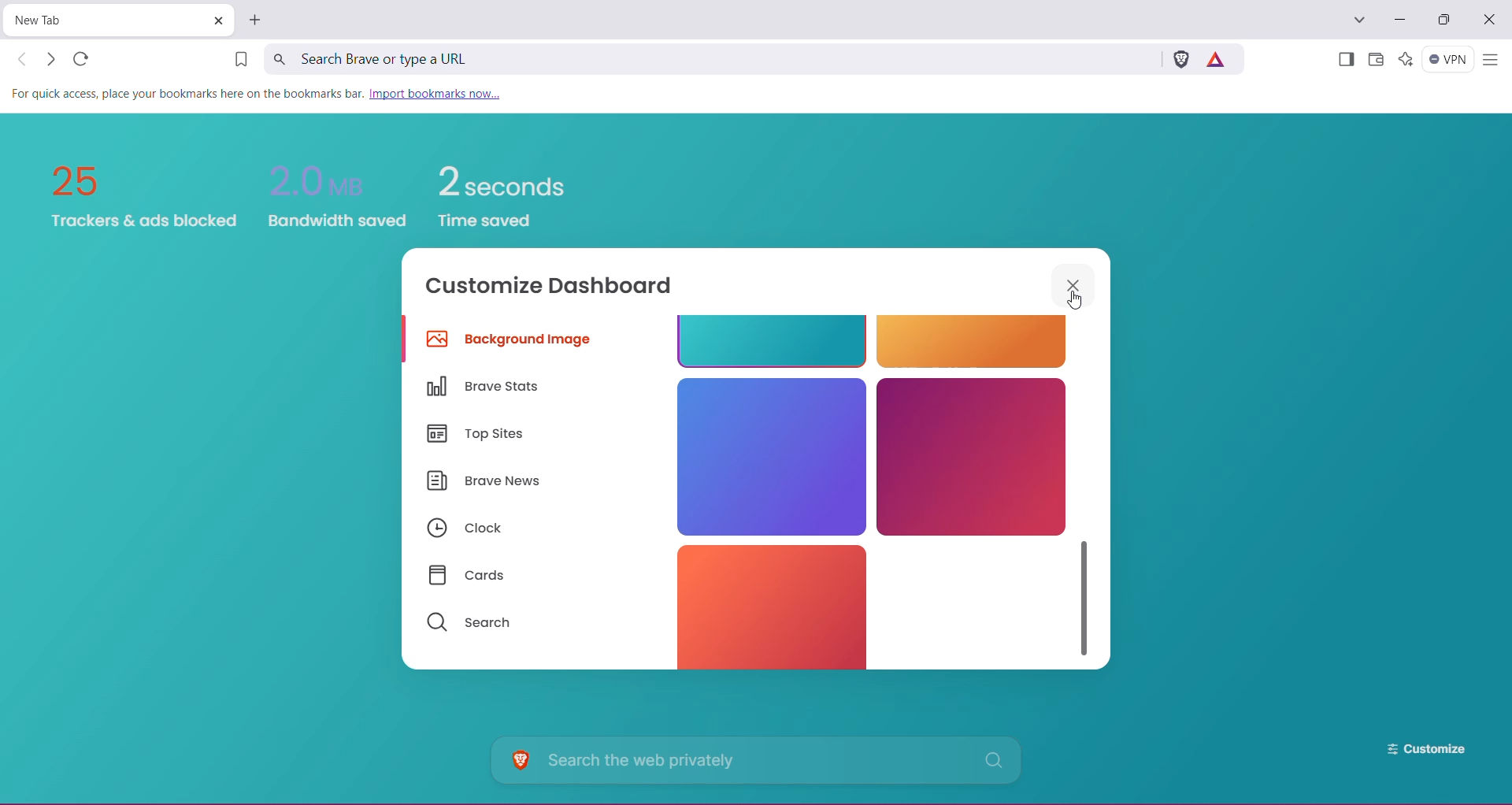 Image resolution: width=1512 pixels, height=805 pixels. What do you see at coordinates (257, 20) in the screenshot?
I see `New Tab` at bounding box center [257, 20].